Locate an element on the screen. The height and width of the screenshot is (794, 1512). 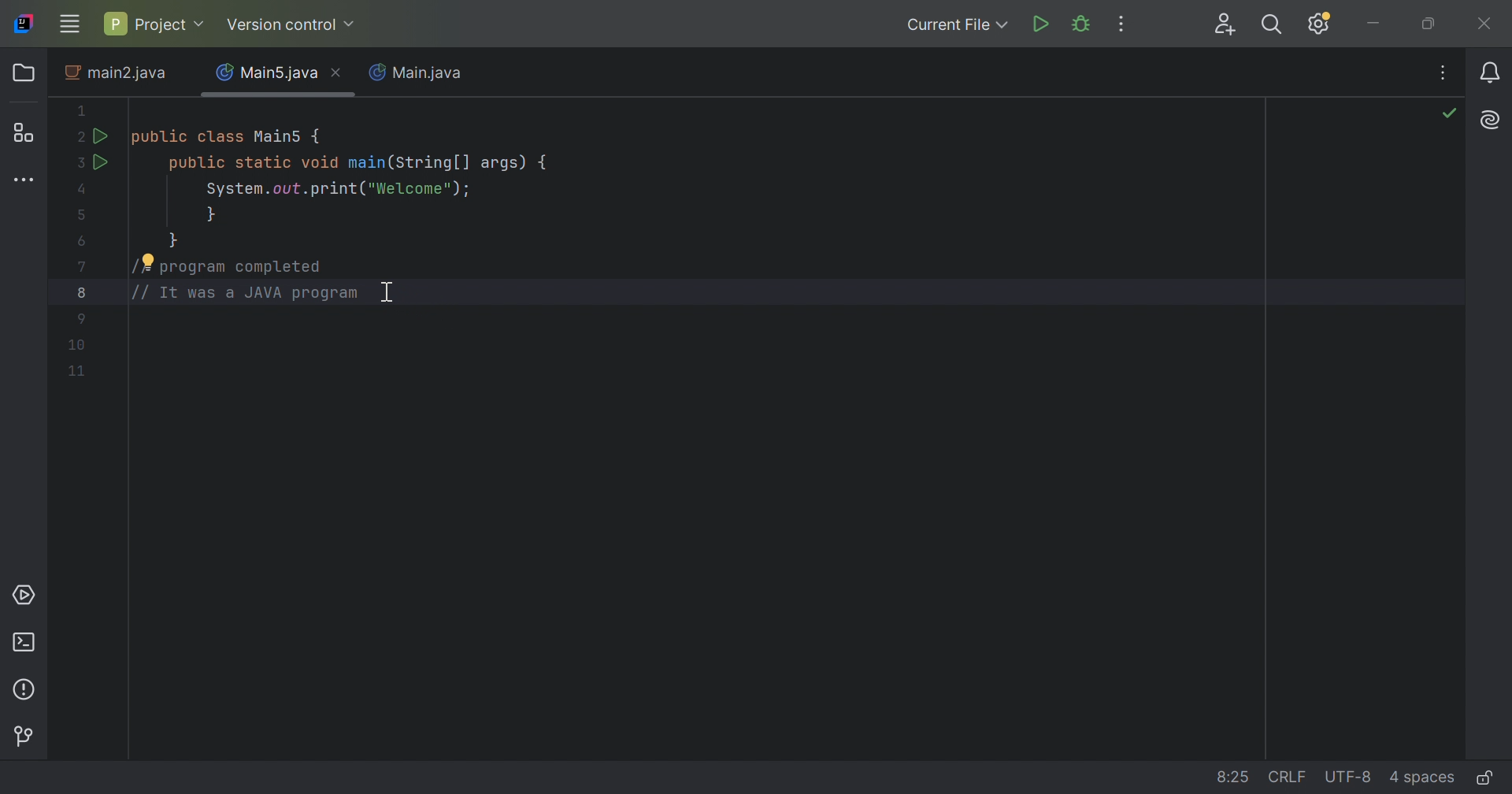
Code with me is located at coordinates (1226, 24).